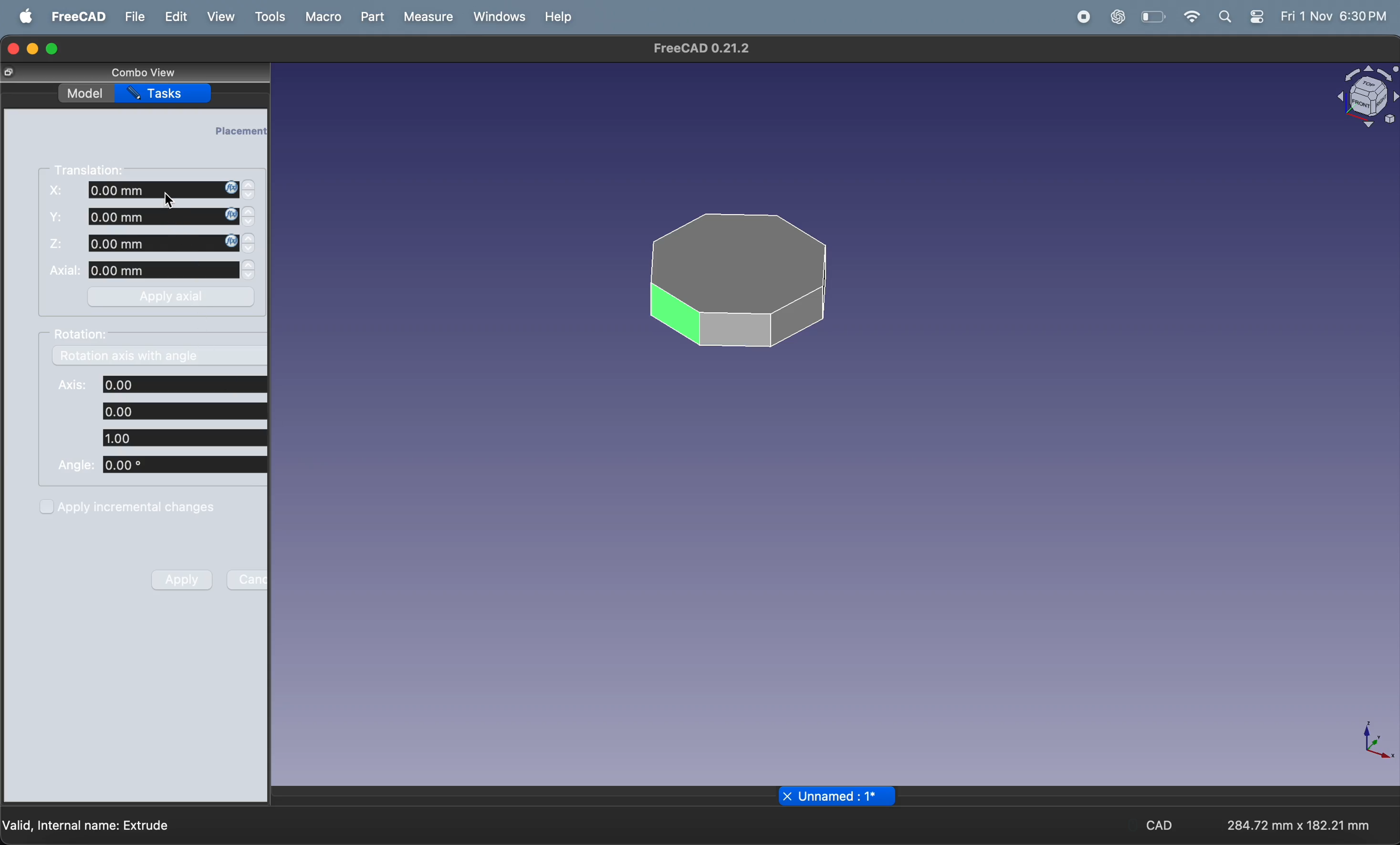  What do you see at coordinates (93, 169) in the screenshot?
I see `translation` at bounding box center [93, 169].